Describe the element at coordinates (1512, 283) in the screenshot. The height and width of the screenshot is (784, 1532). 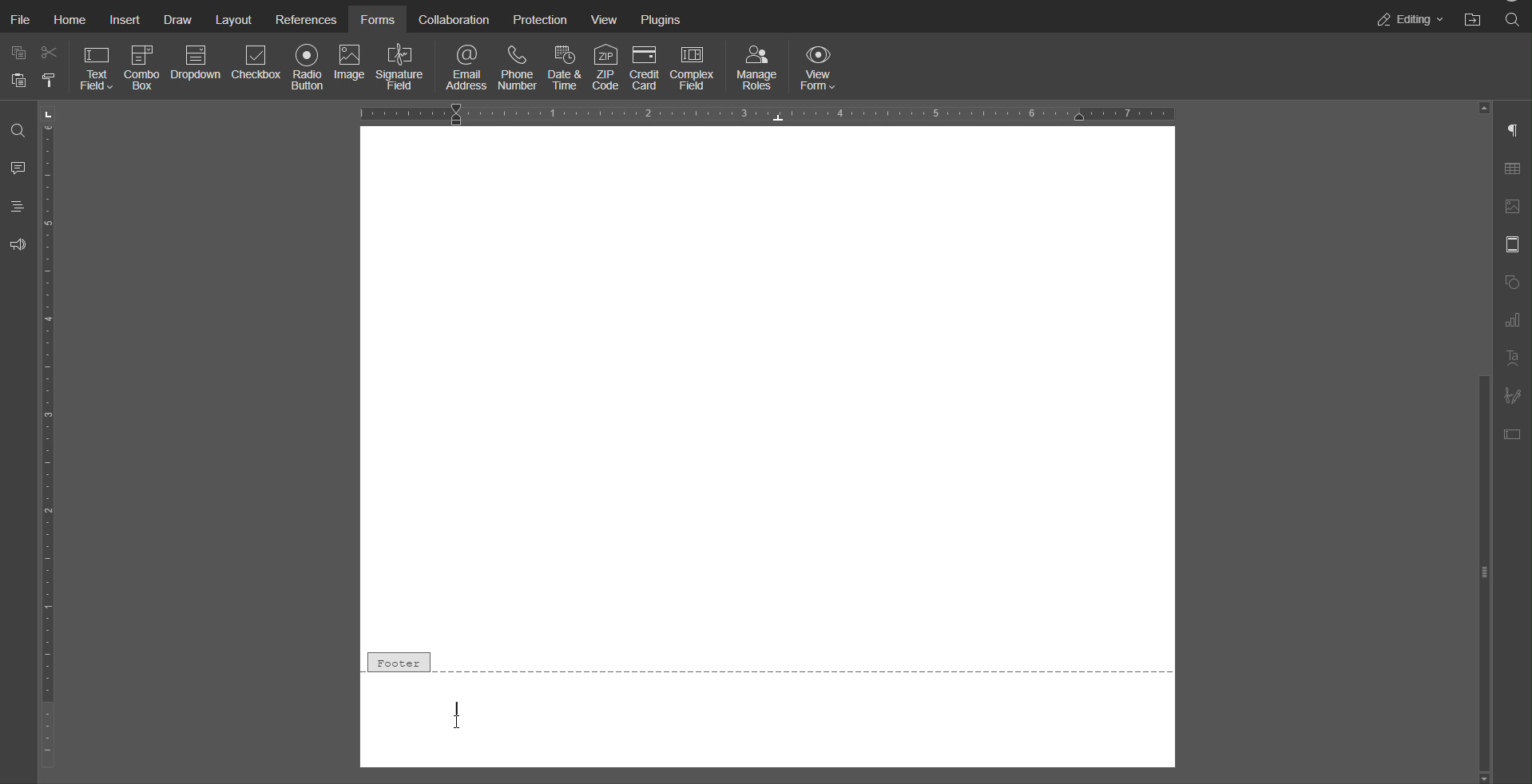
I see `Shape Settings` at that location.